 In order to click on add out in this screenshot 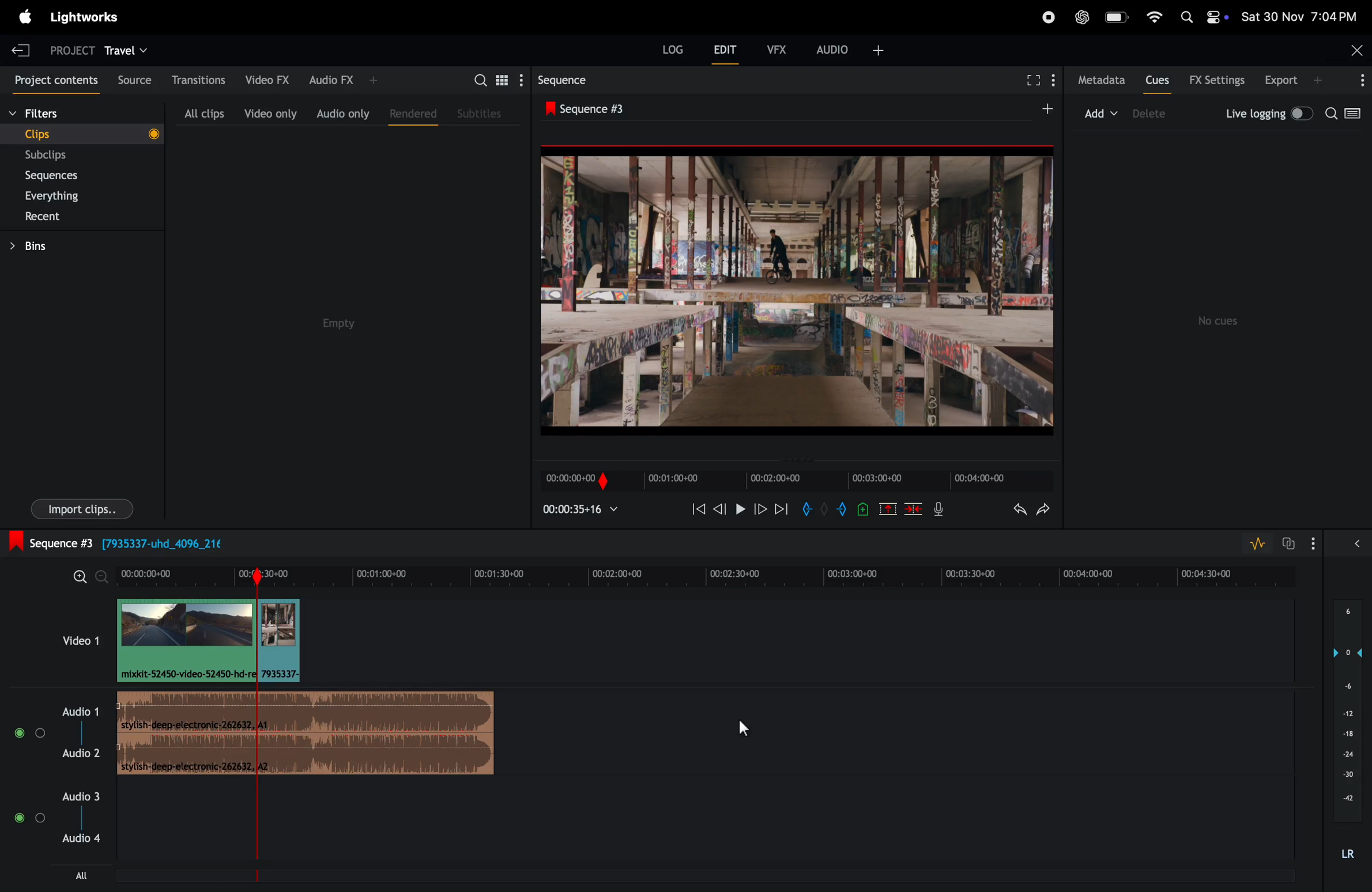, I will do `click(843, 511)`.